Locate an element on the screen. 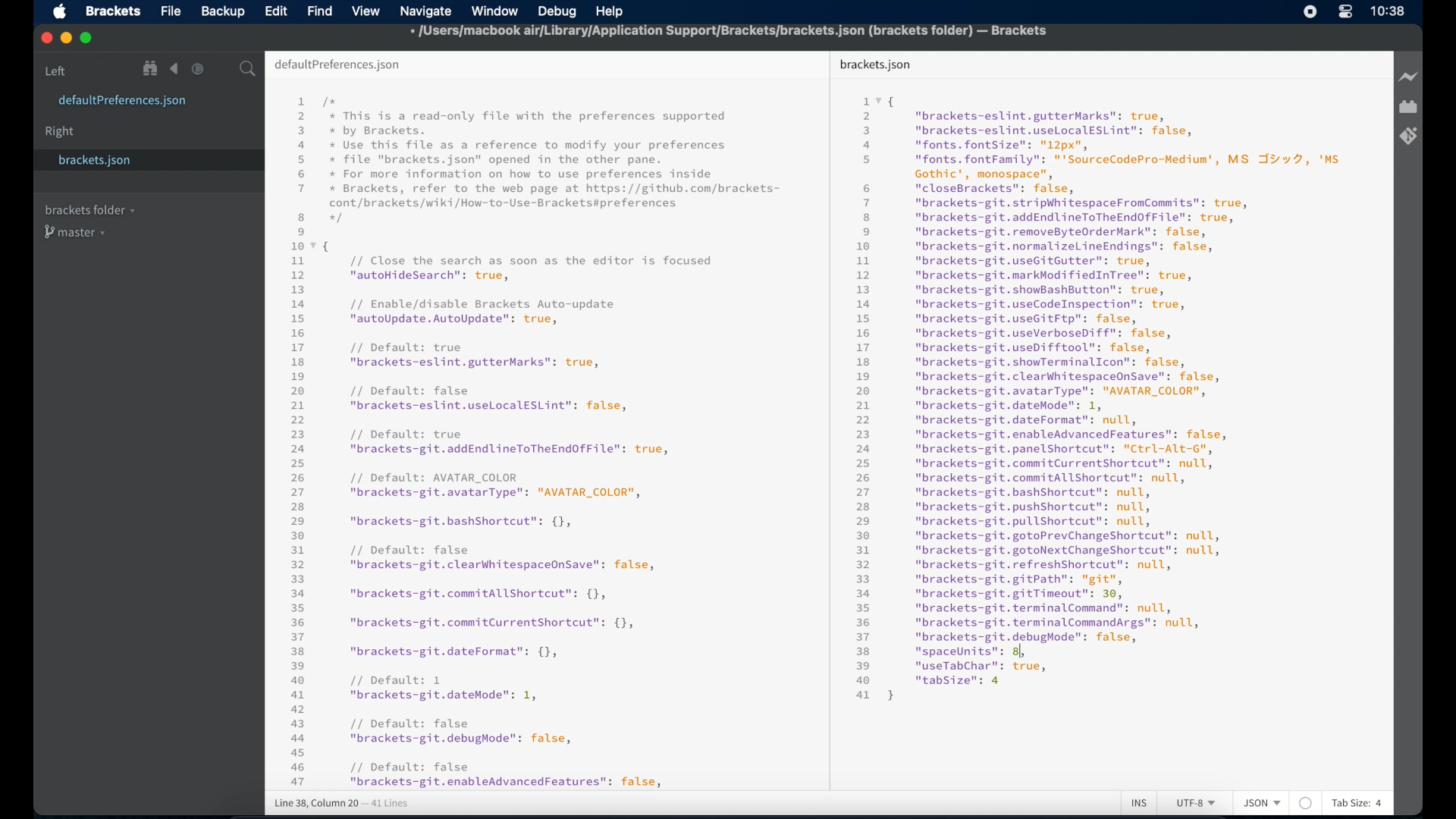  json syntax is located at coordinates (1098, 397).